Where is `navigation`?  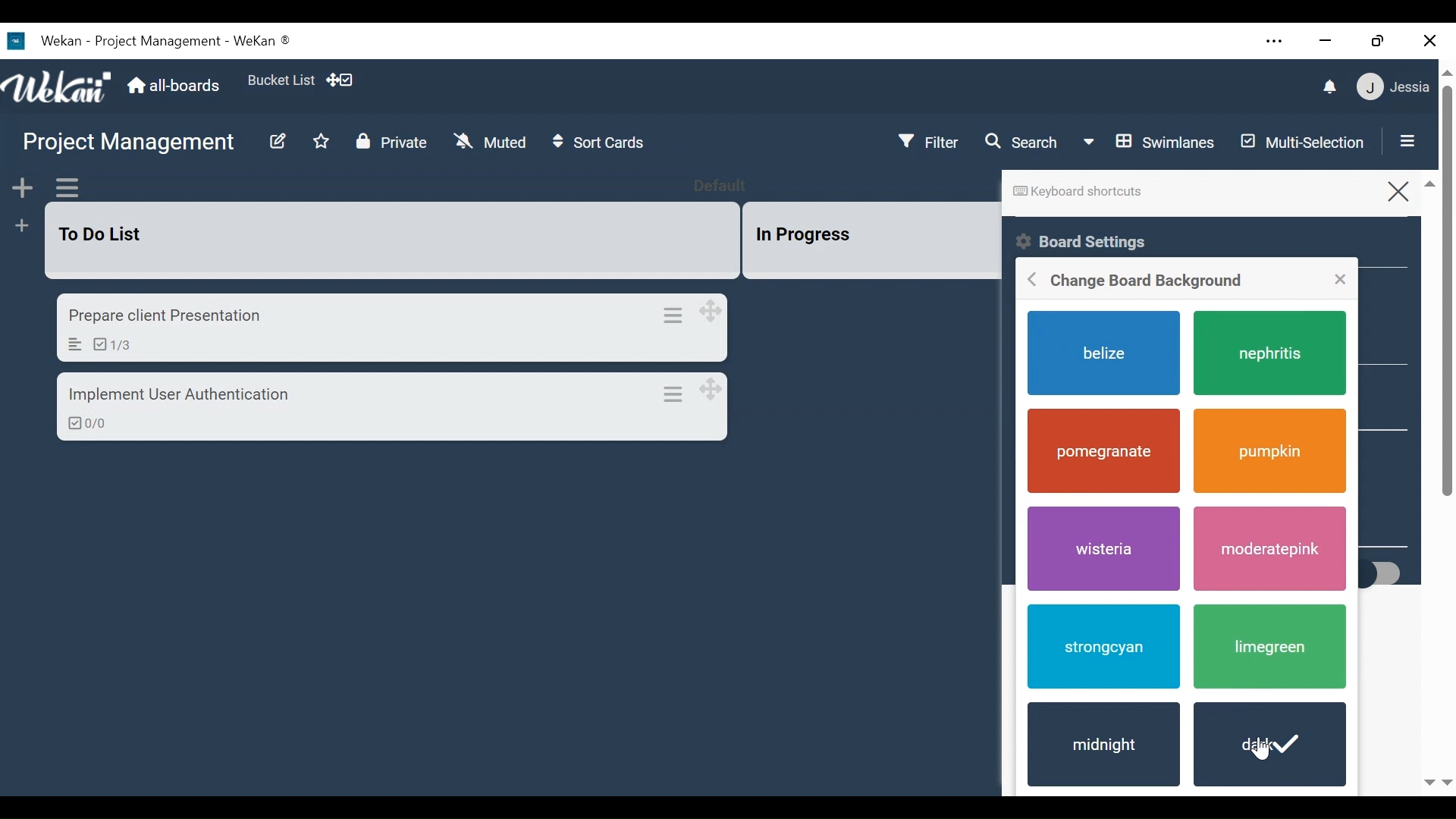
navigation is located at coordinates (1437, 780).